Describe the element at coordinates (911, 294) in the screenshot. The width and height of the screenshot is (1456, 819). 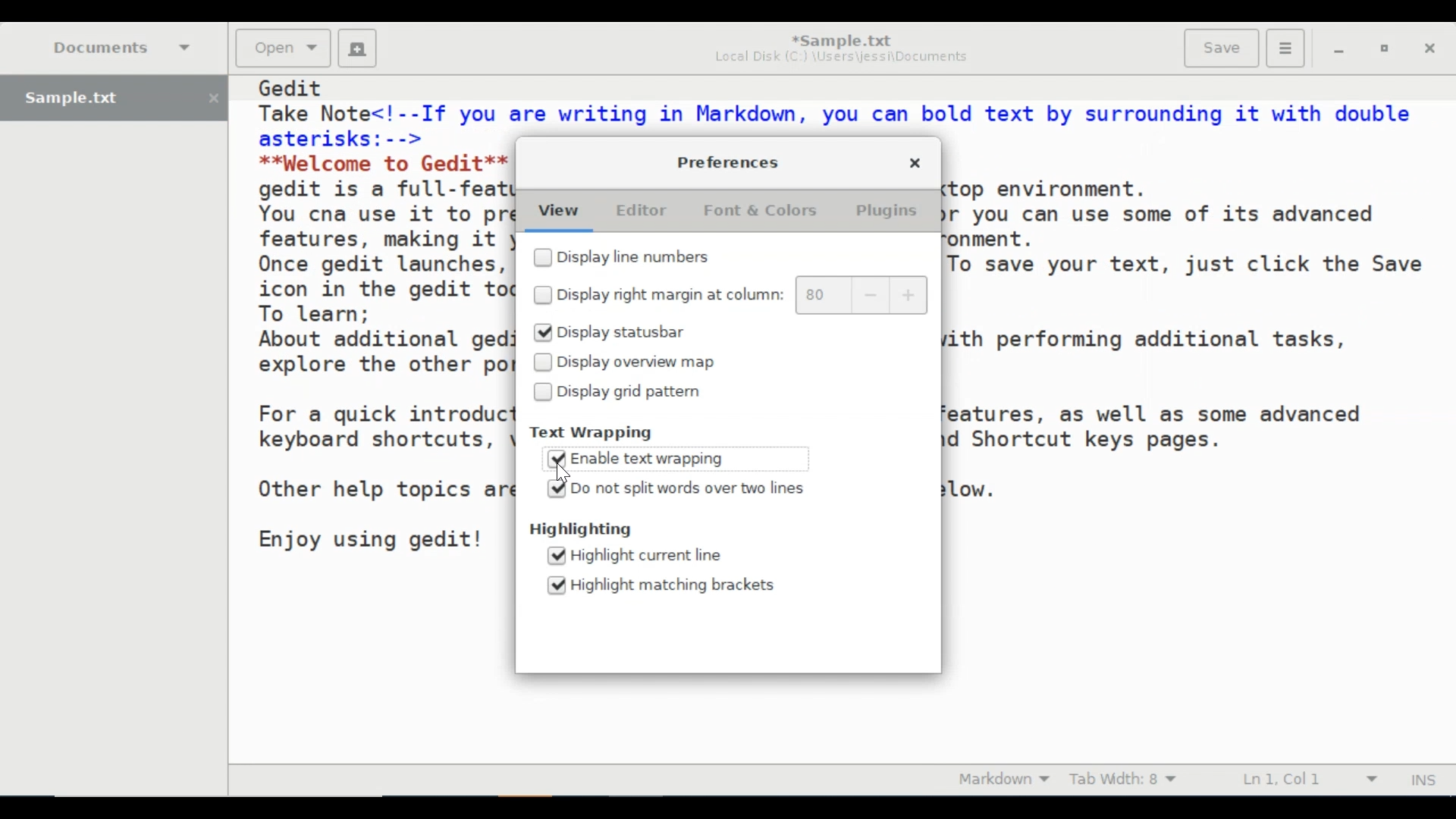
I see `increase margin` at that location.